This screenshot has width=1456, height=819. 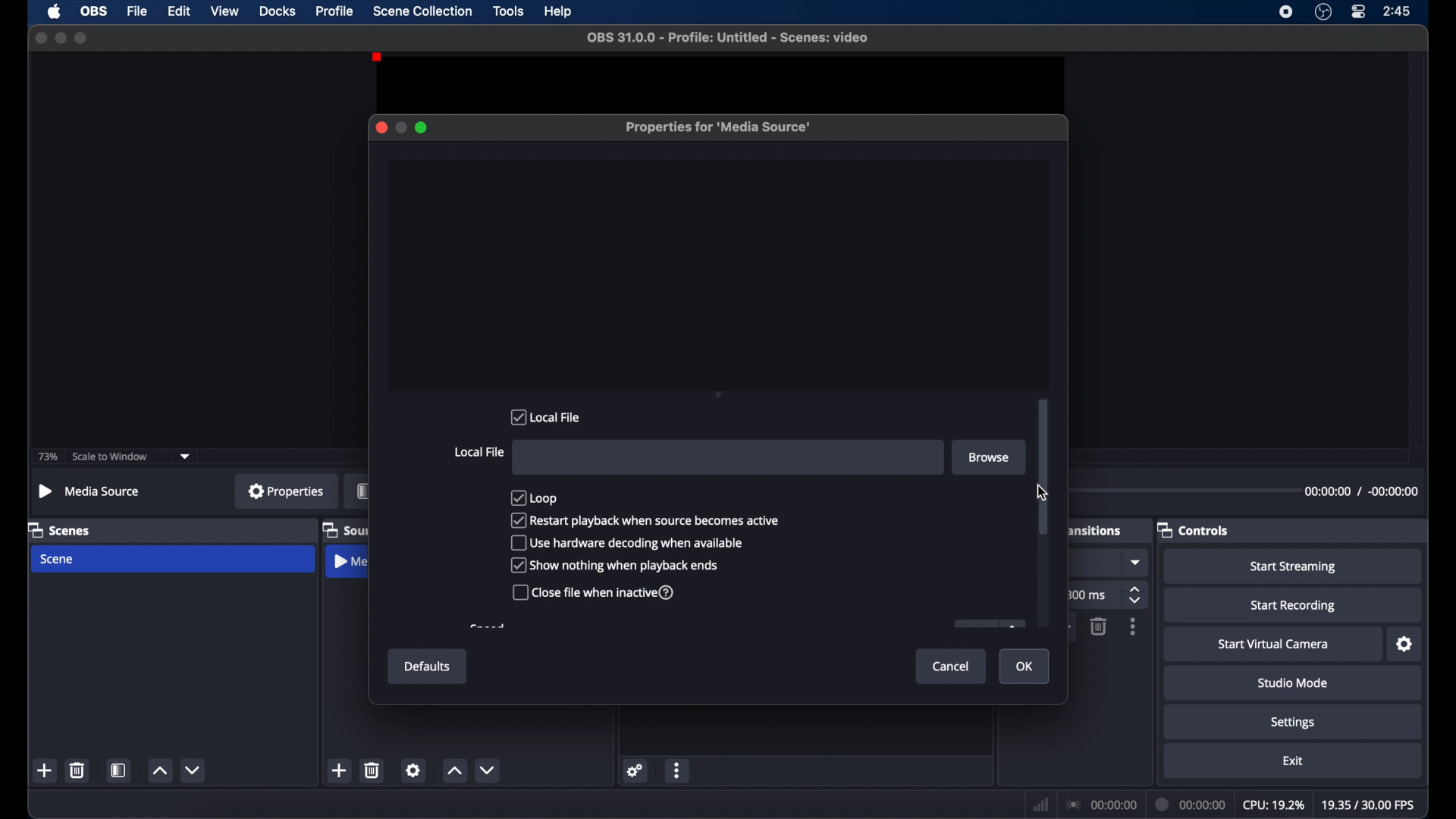 I want to click on local file, so click(x=479, y=452).